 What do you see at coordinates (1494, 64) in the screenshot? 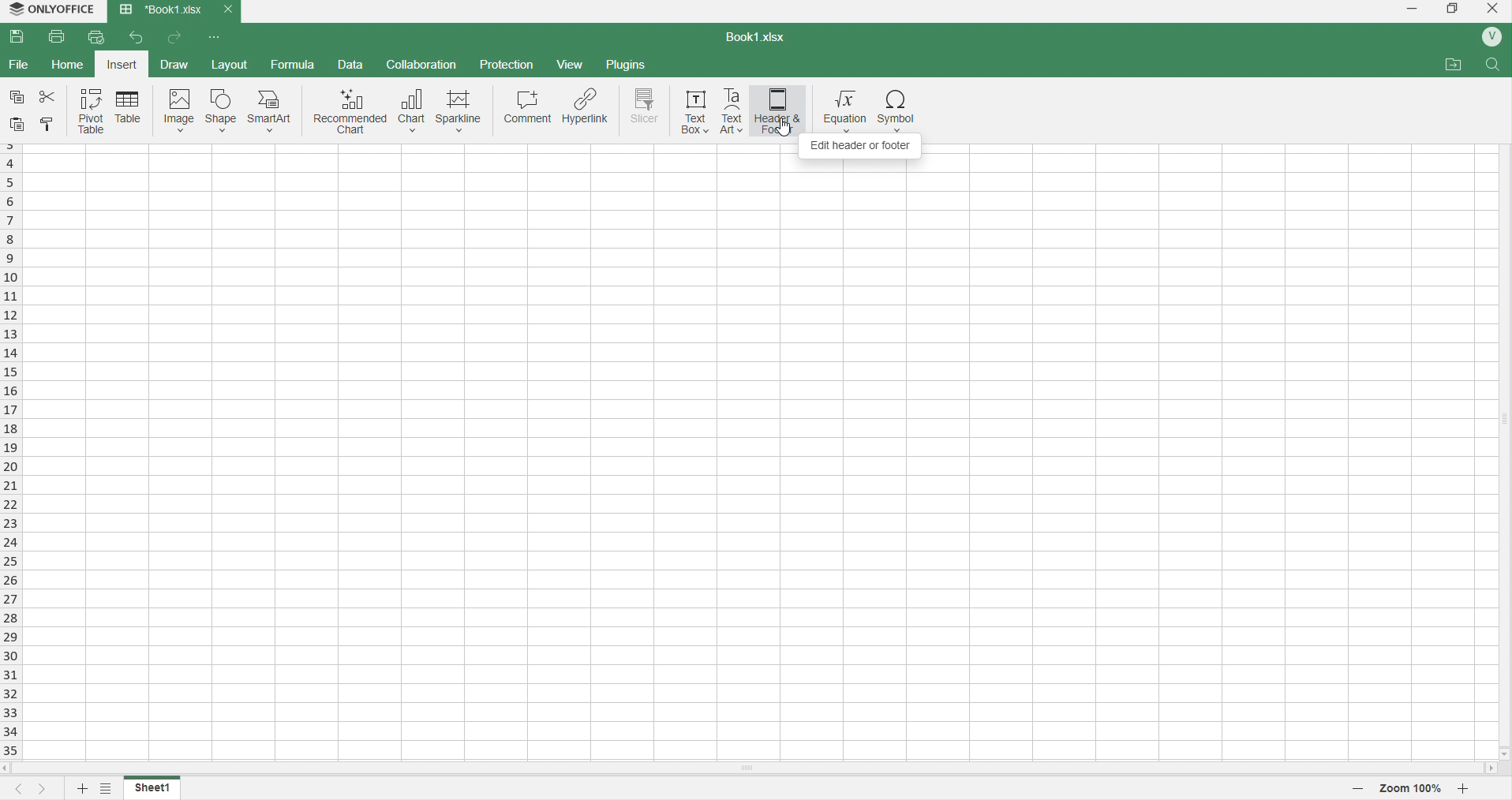
I see `search` at bounding box center [1494, 64].